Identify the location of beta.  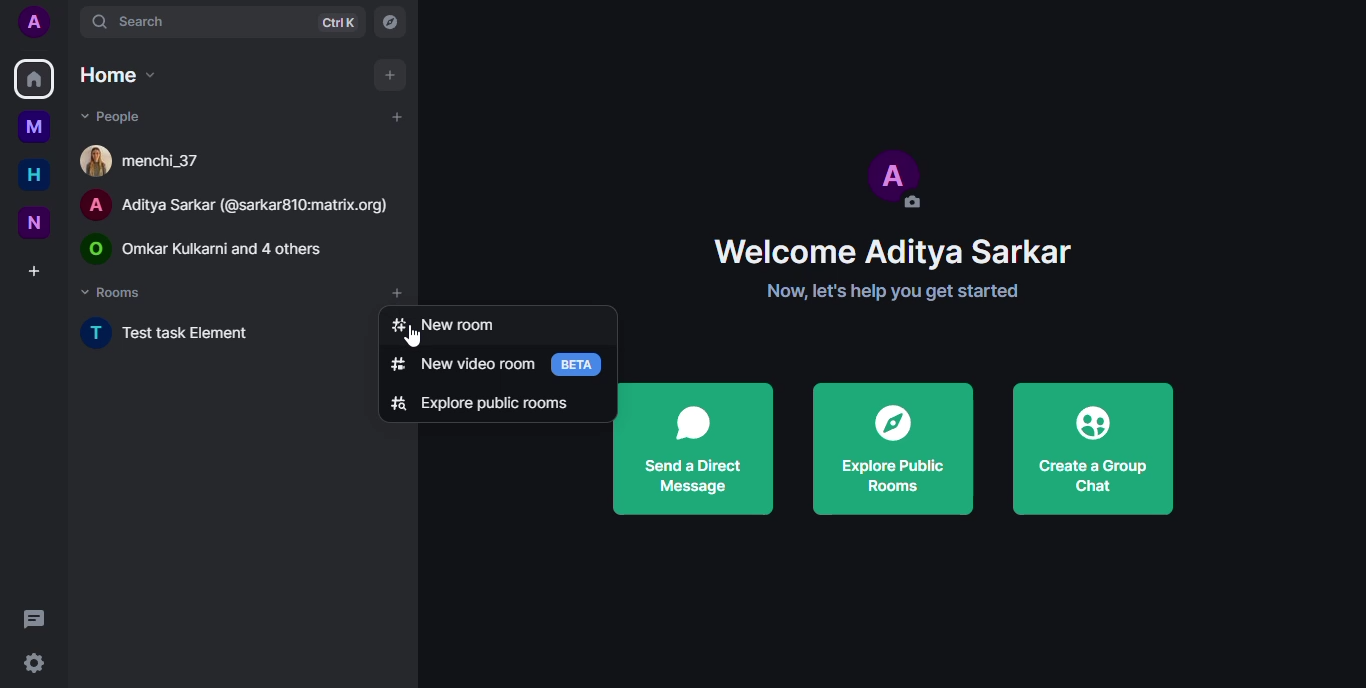
(580, 363).